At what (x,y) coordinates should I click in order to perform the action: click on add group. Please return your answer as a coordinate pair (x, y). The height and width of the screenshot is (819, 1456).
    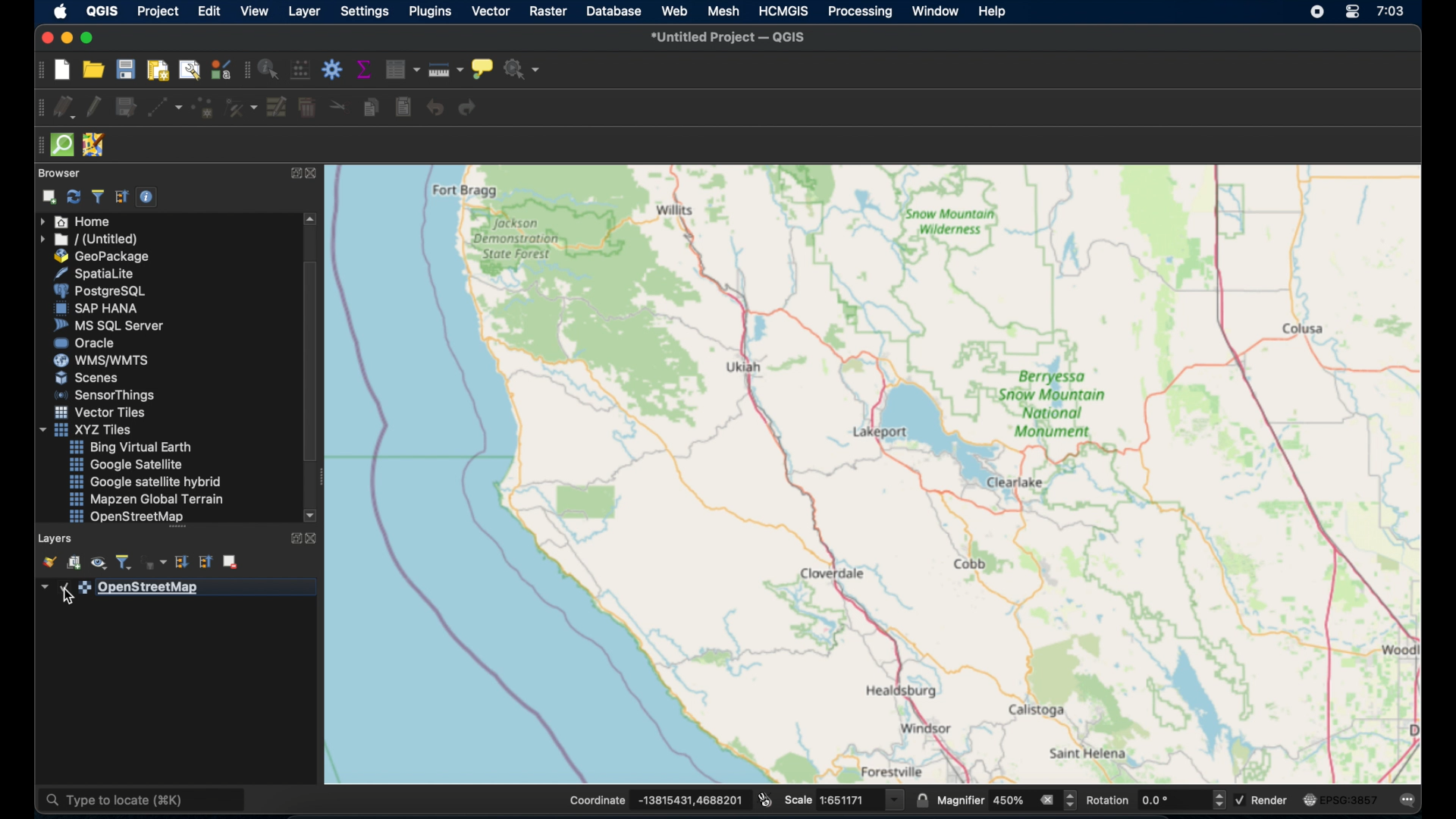
    Looking at the image, I should click on (73, 562).